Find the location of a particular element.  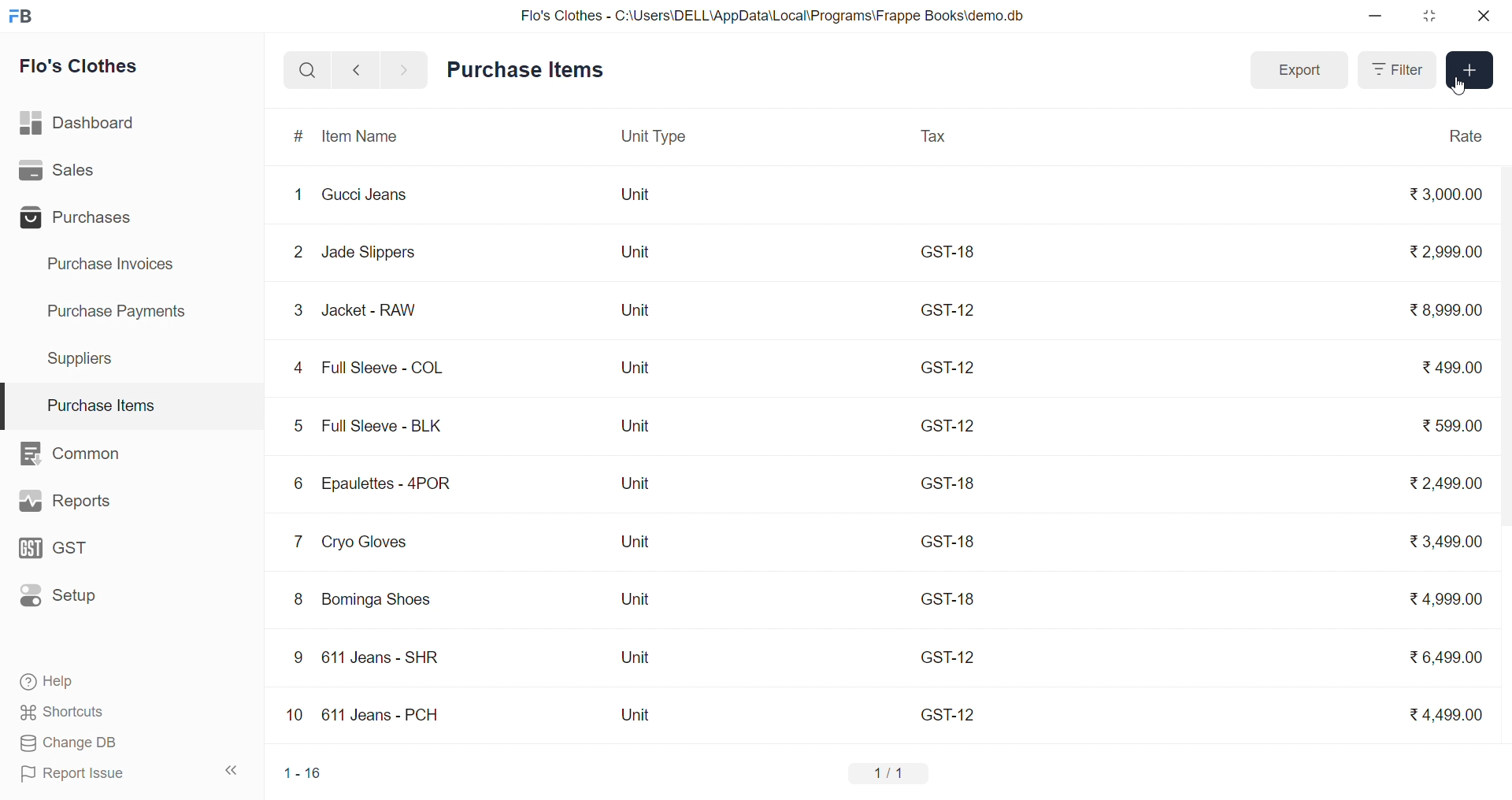

Purchase Payments is located at coordinates (122, 312).